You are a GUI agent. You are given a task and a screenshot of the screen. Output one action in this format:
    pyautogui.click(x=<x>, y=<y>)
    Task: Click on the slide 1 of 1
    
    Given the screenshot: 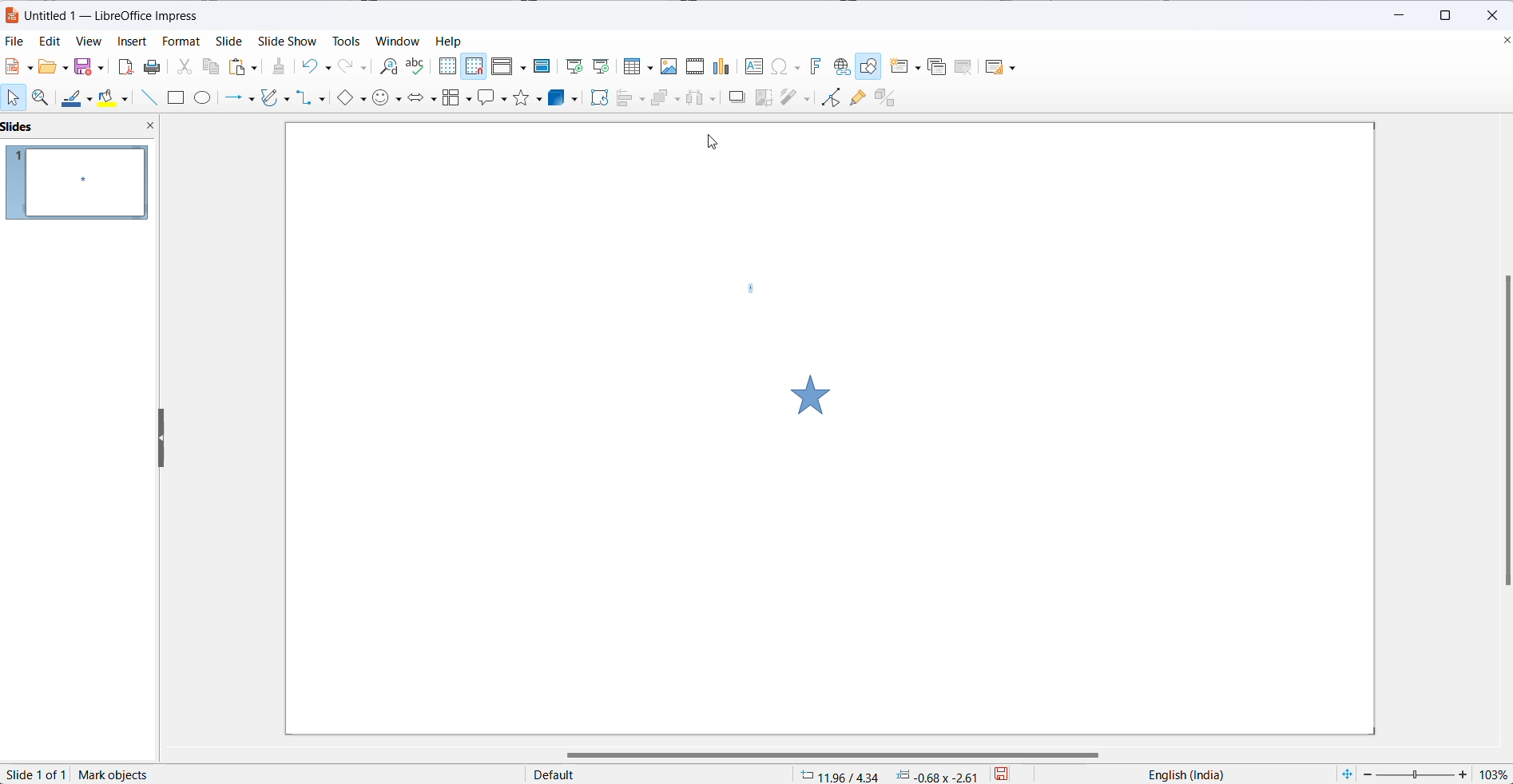 What is the action you would take?
    pyautogui.click(x=39, y=774)
    